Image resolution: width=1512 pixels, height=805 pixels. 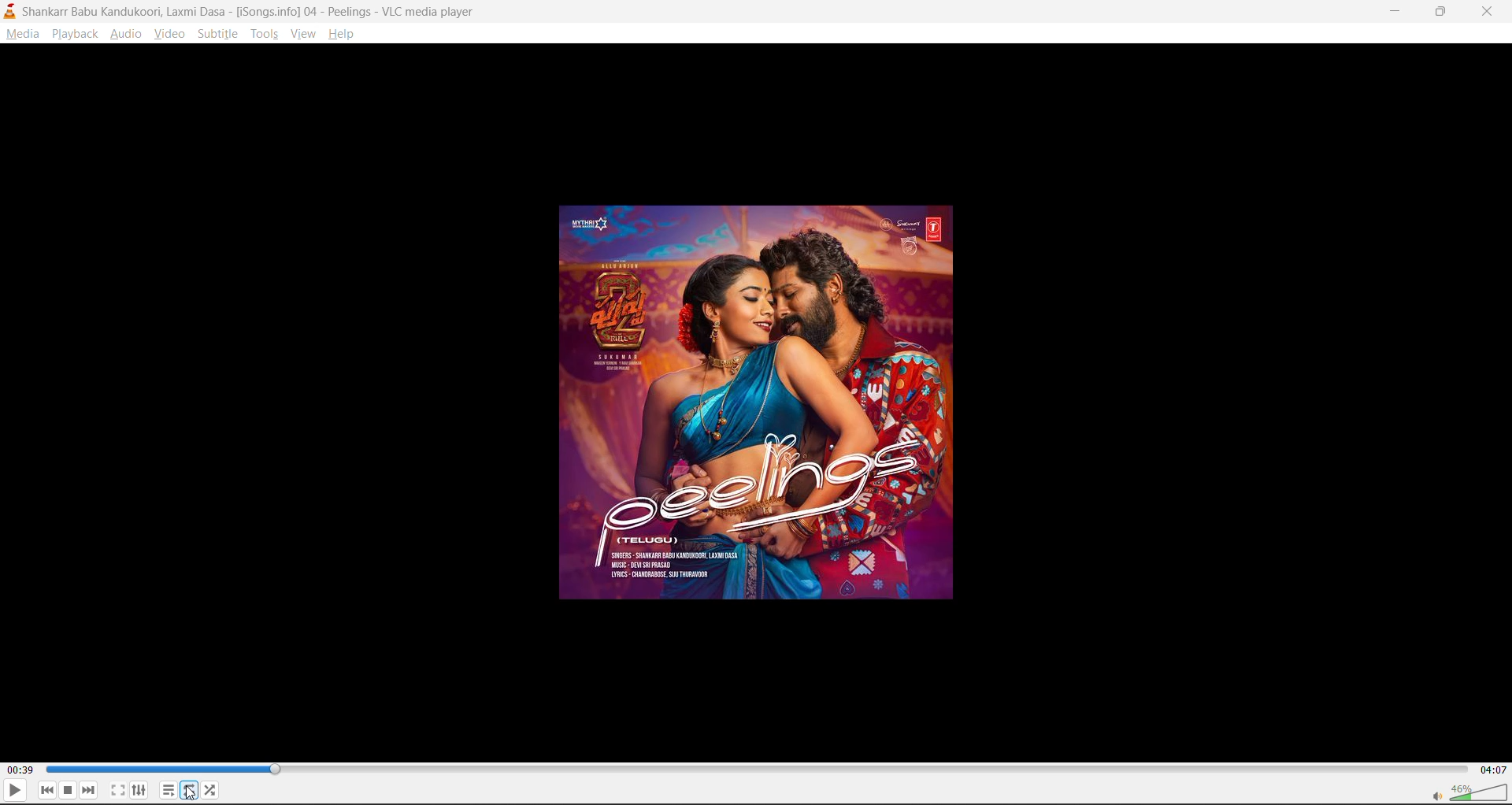 I want to click on thumbnail, so click(x=759, y=404).